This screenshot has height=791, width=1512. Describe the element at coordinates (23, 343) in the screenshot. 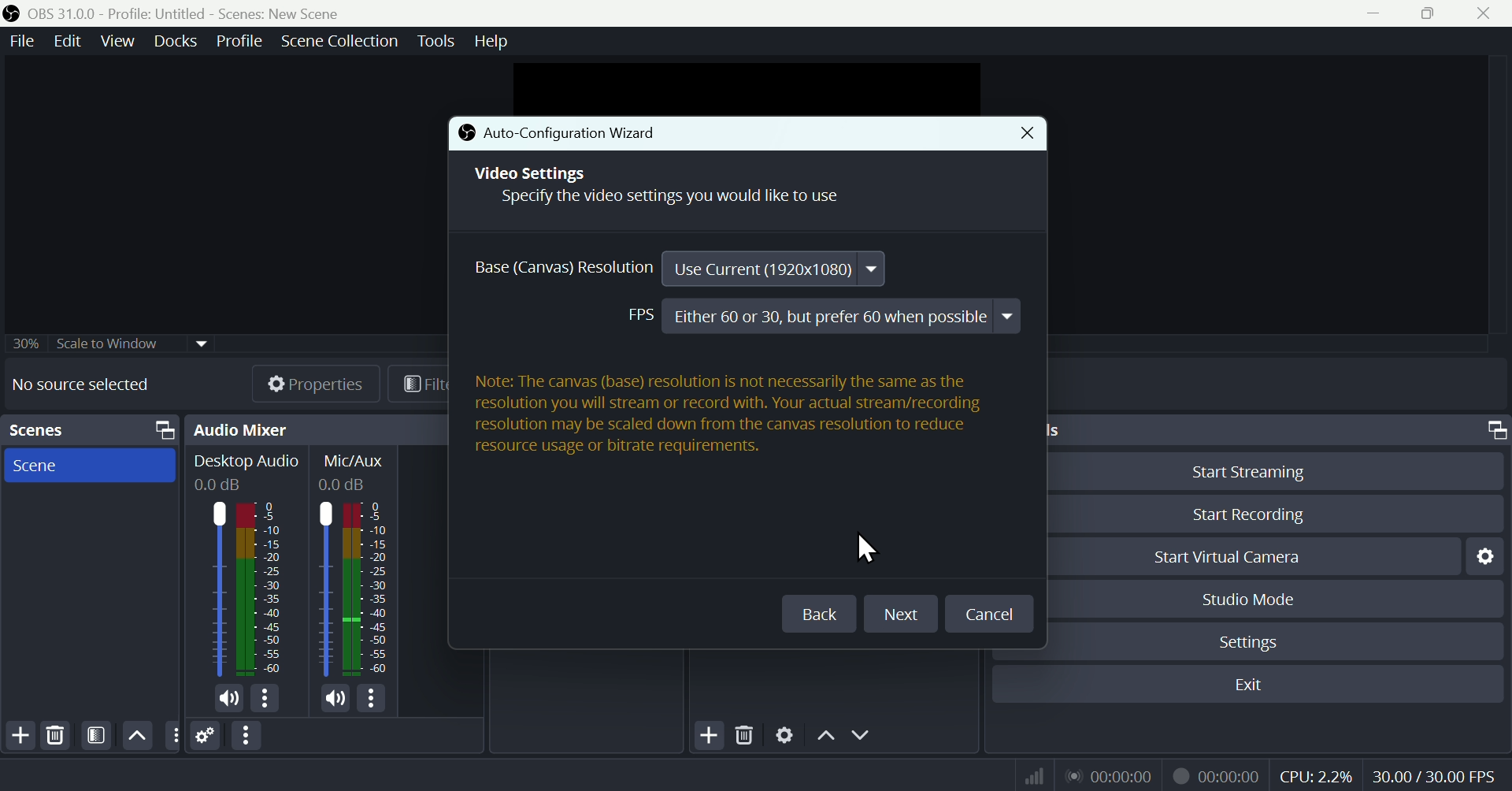

I see `30%` at that location.